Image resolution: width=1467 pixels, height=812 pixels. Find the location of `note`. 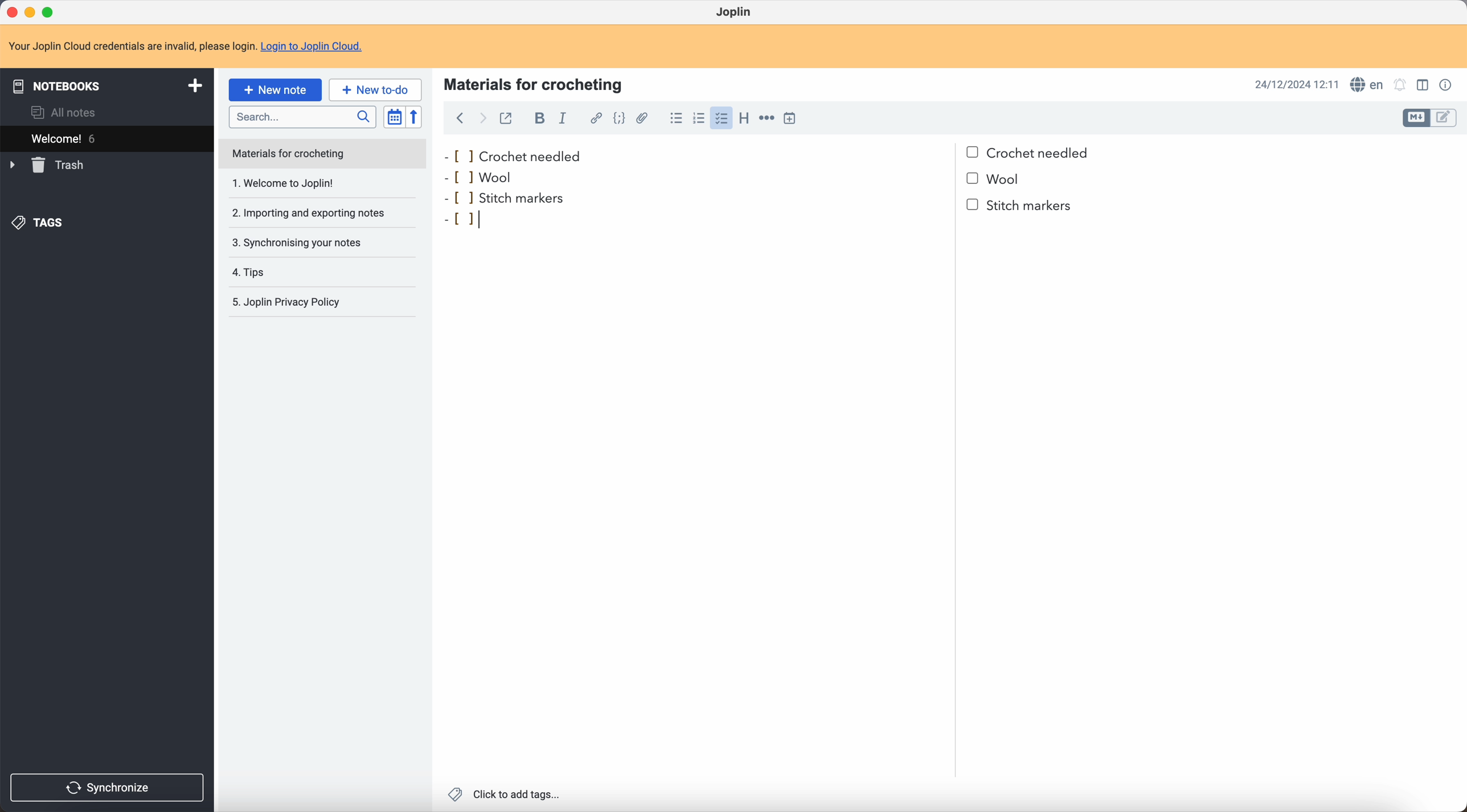

note is located at coordinates (323, 154).